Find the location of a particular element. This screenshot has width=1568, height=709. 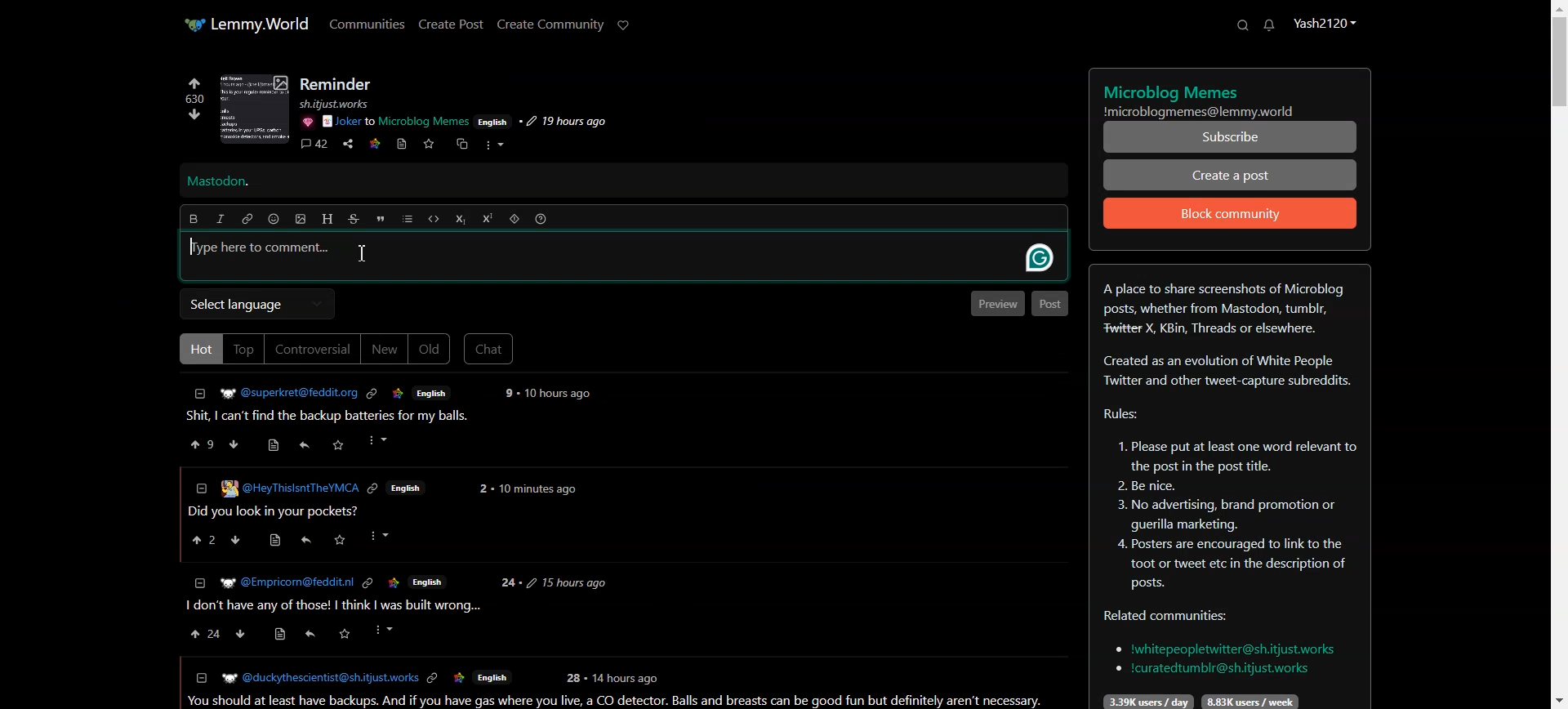

New is located at coordinates (384, 349).